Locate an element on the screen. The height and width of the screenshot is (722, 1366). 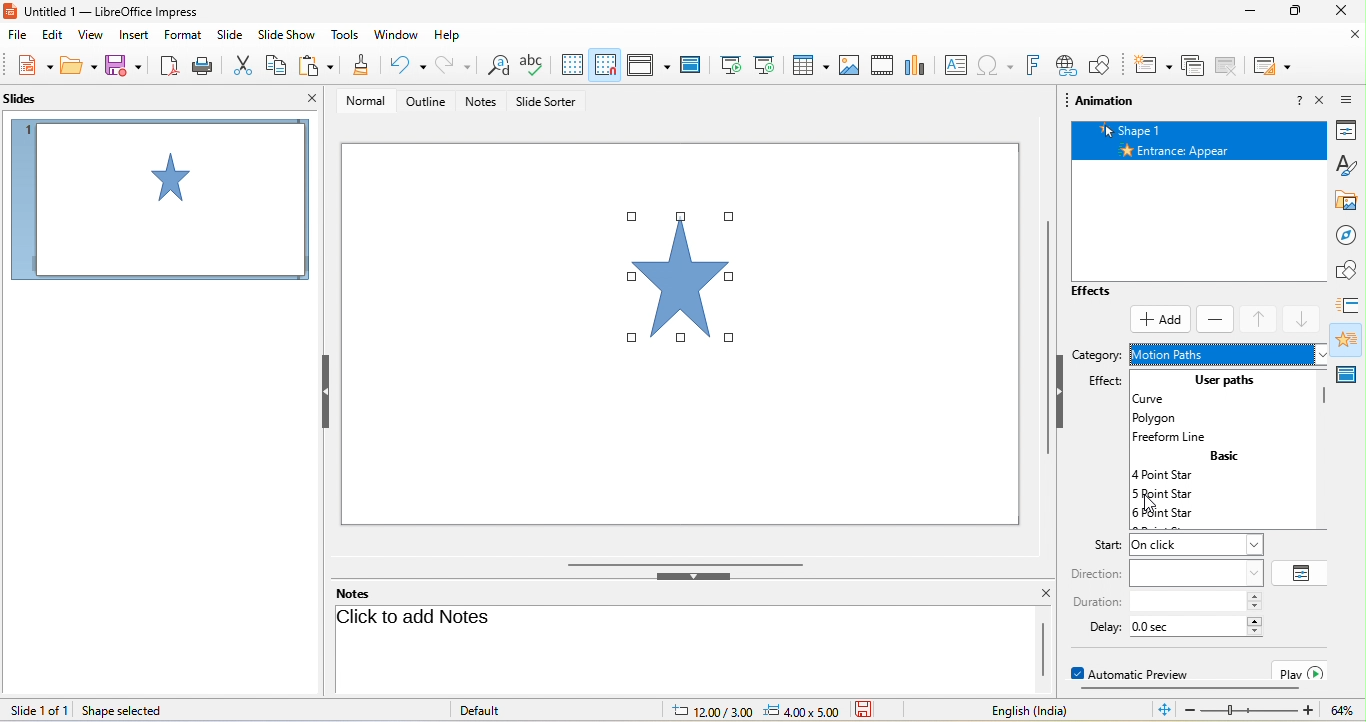
4 point star is located at coordinates (1169, 475).